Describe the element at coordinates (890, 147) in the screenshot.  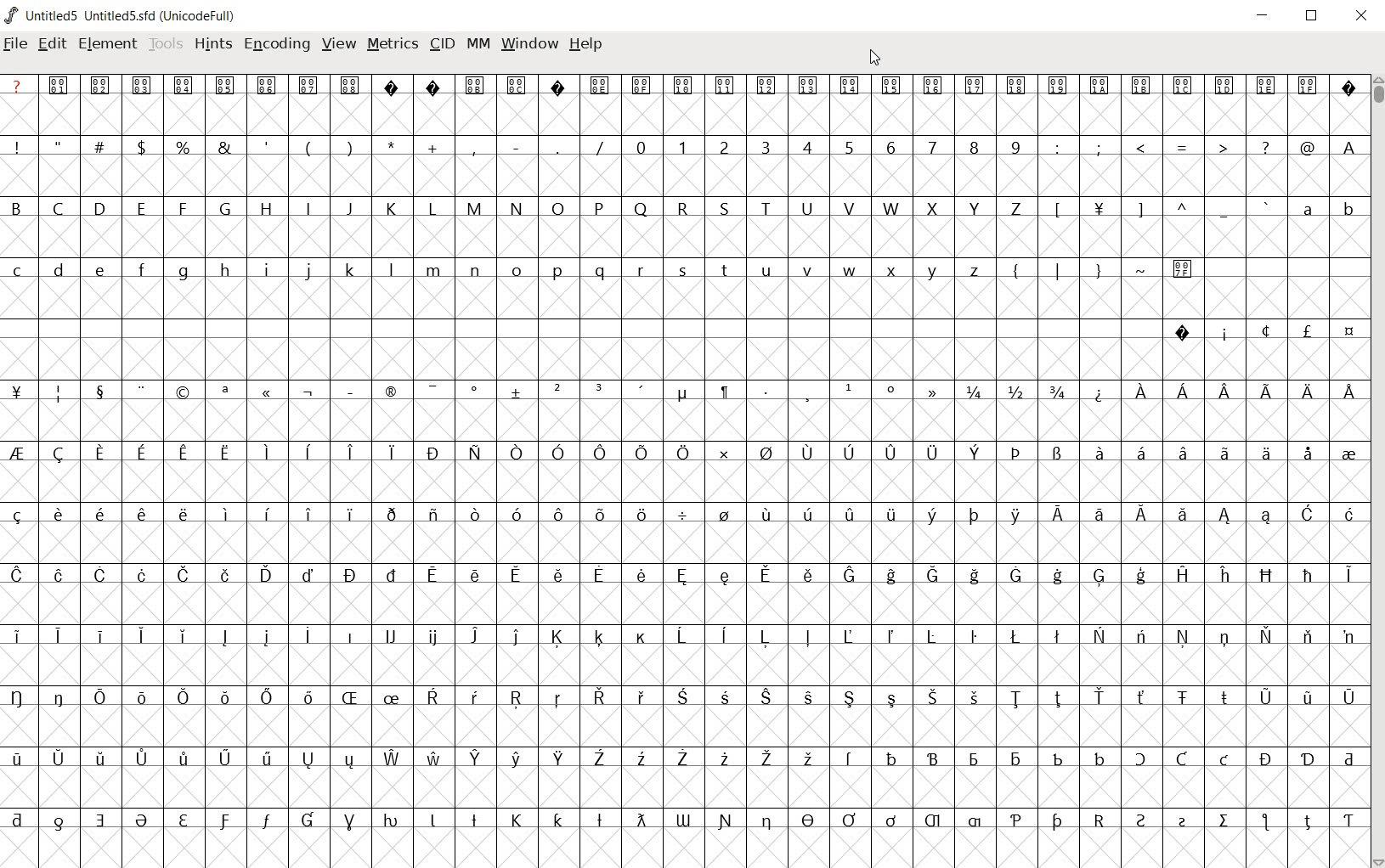
I see `6` at that location.